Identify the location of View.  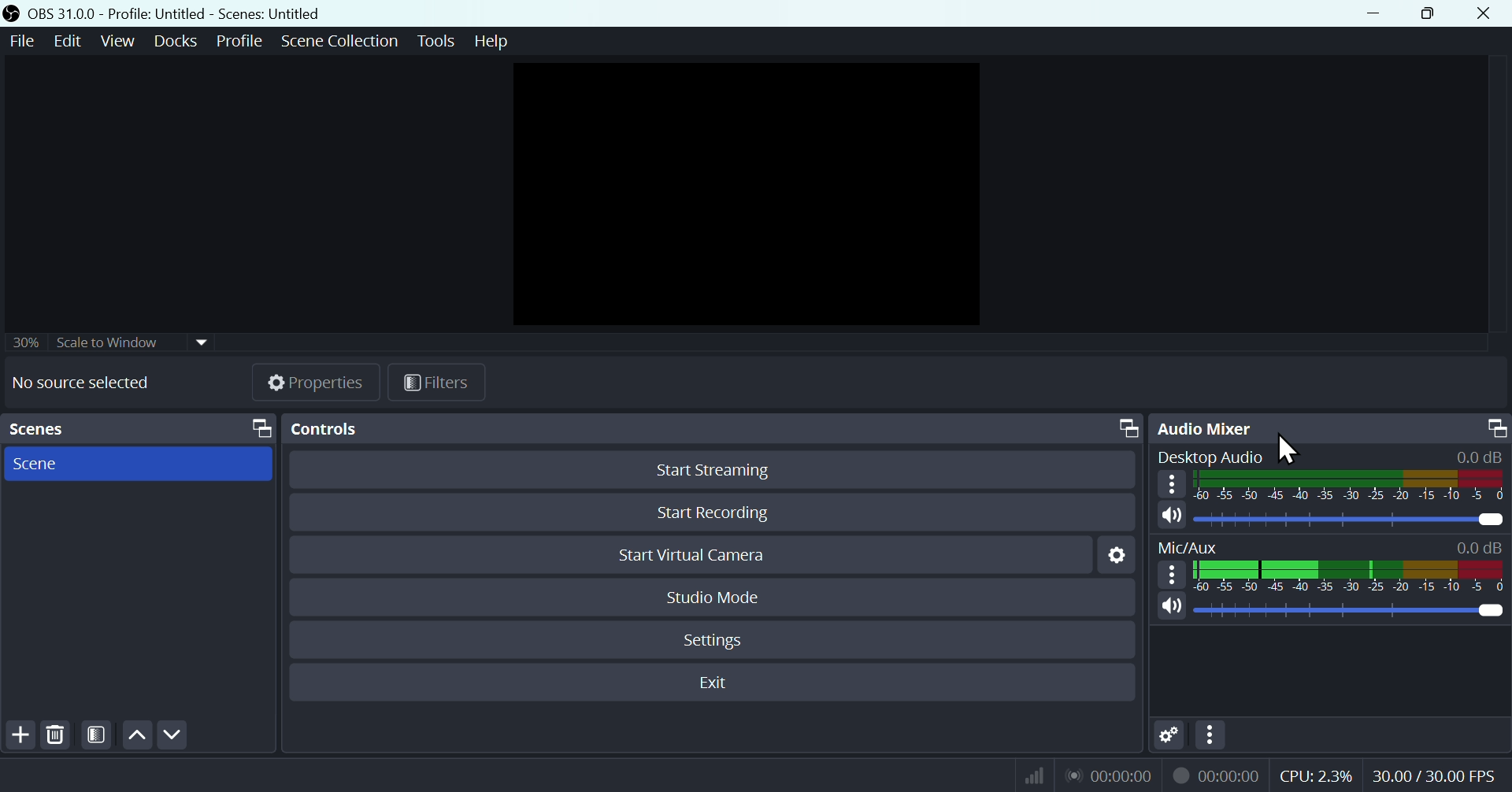
(117, 39).